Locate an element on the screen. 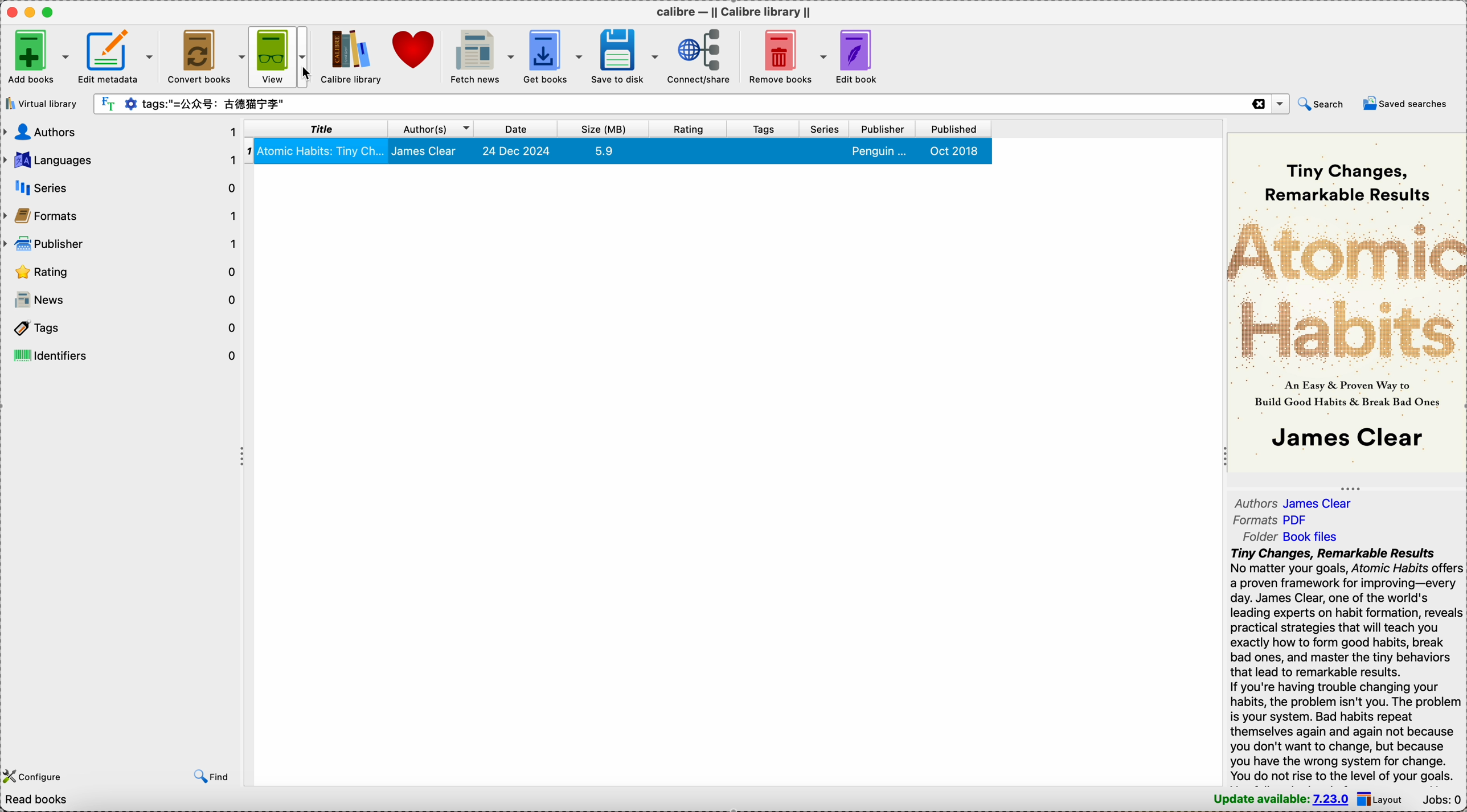  maximize is located at coordinates (49, 12).